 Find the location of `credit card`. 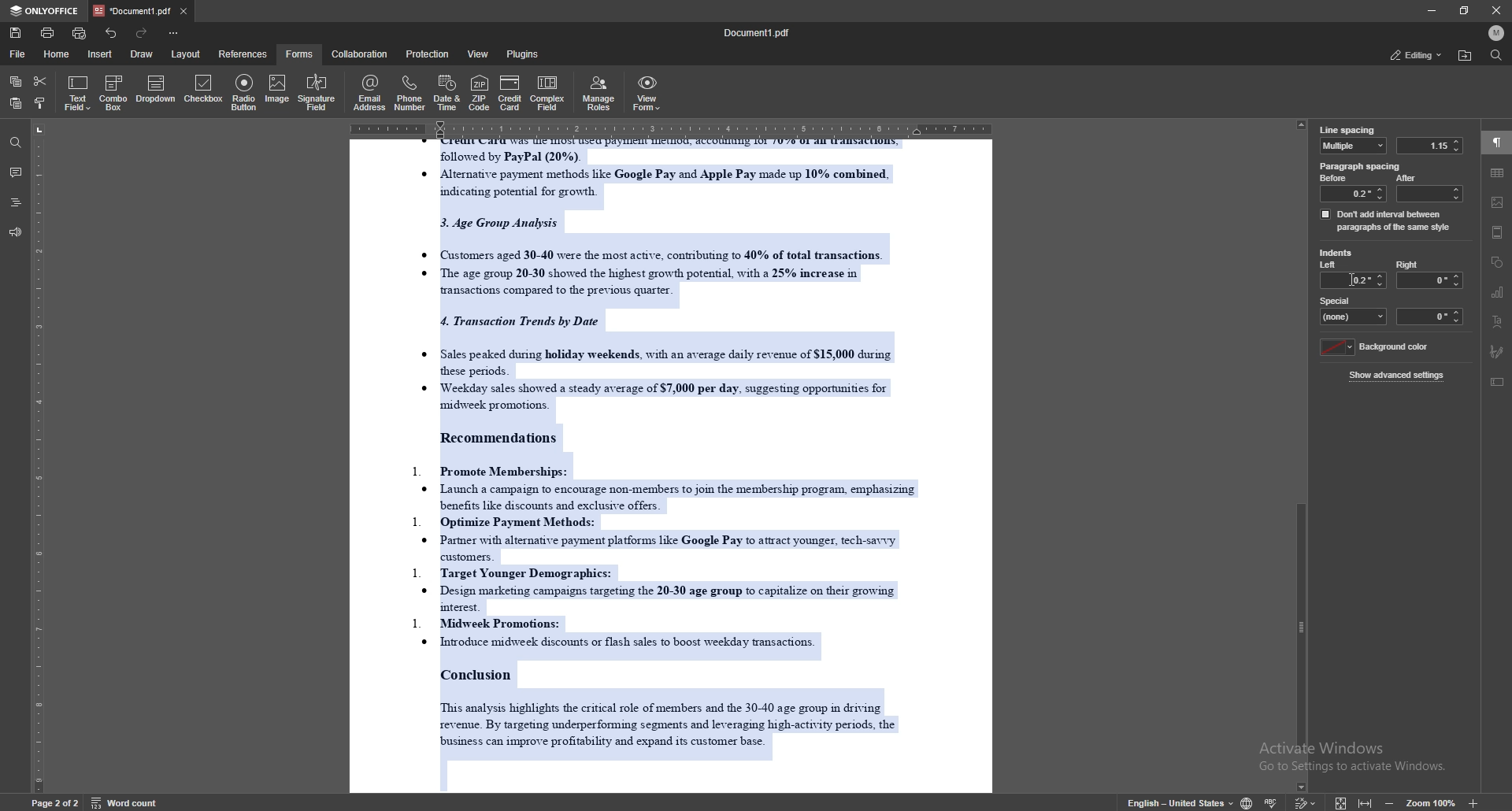

credit card is located at coordinates (510, 92).